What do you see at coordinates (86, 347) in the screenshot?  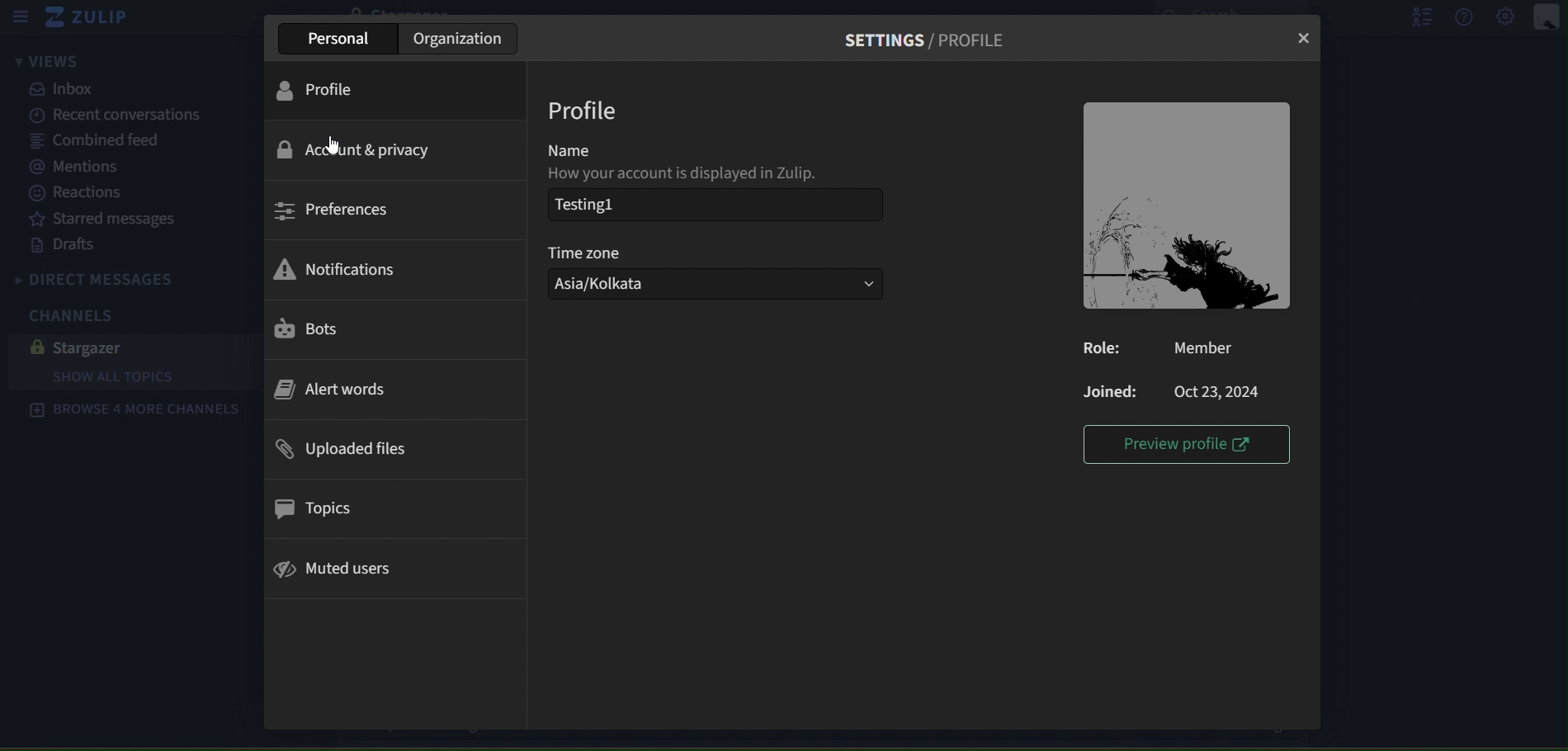 I see `stargazer` at bounding box center [86, 347].